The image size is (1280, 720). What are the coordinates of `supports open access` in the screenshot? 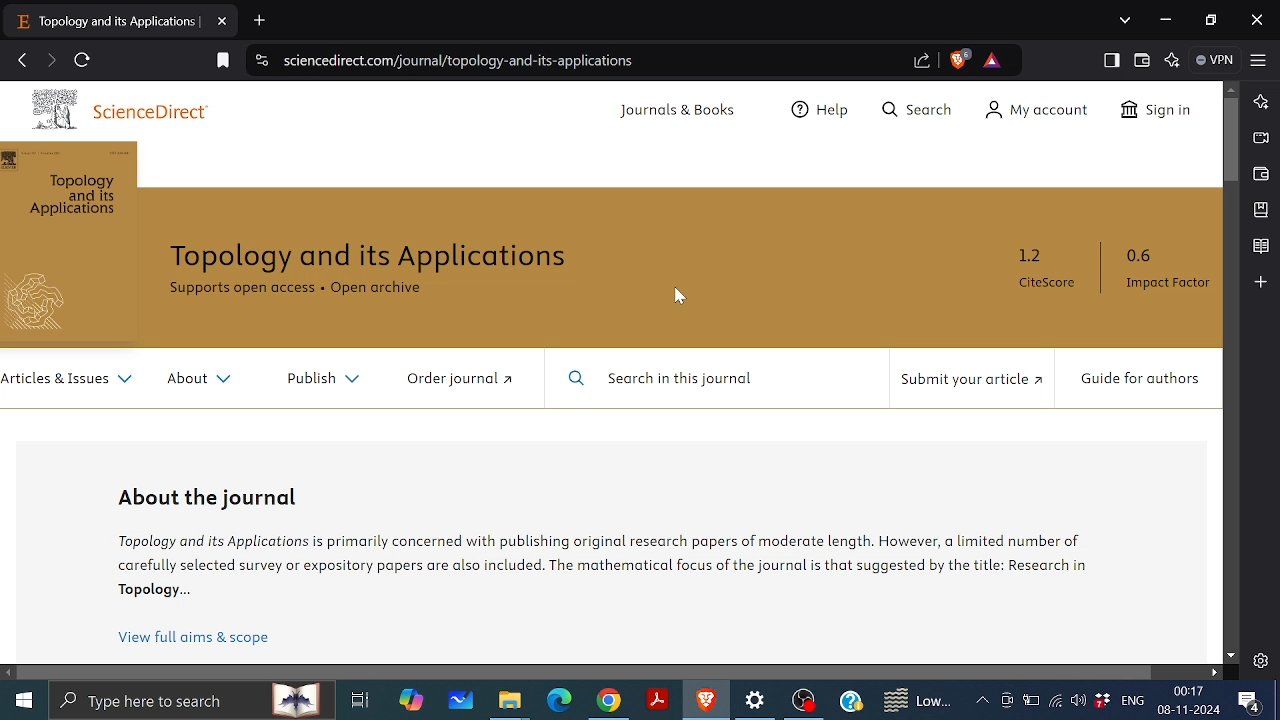 It's located at (243, 290).